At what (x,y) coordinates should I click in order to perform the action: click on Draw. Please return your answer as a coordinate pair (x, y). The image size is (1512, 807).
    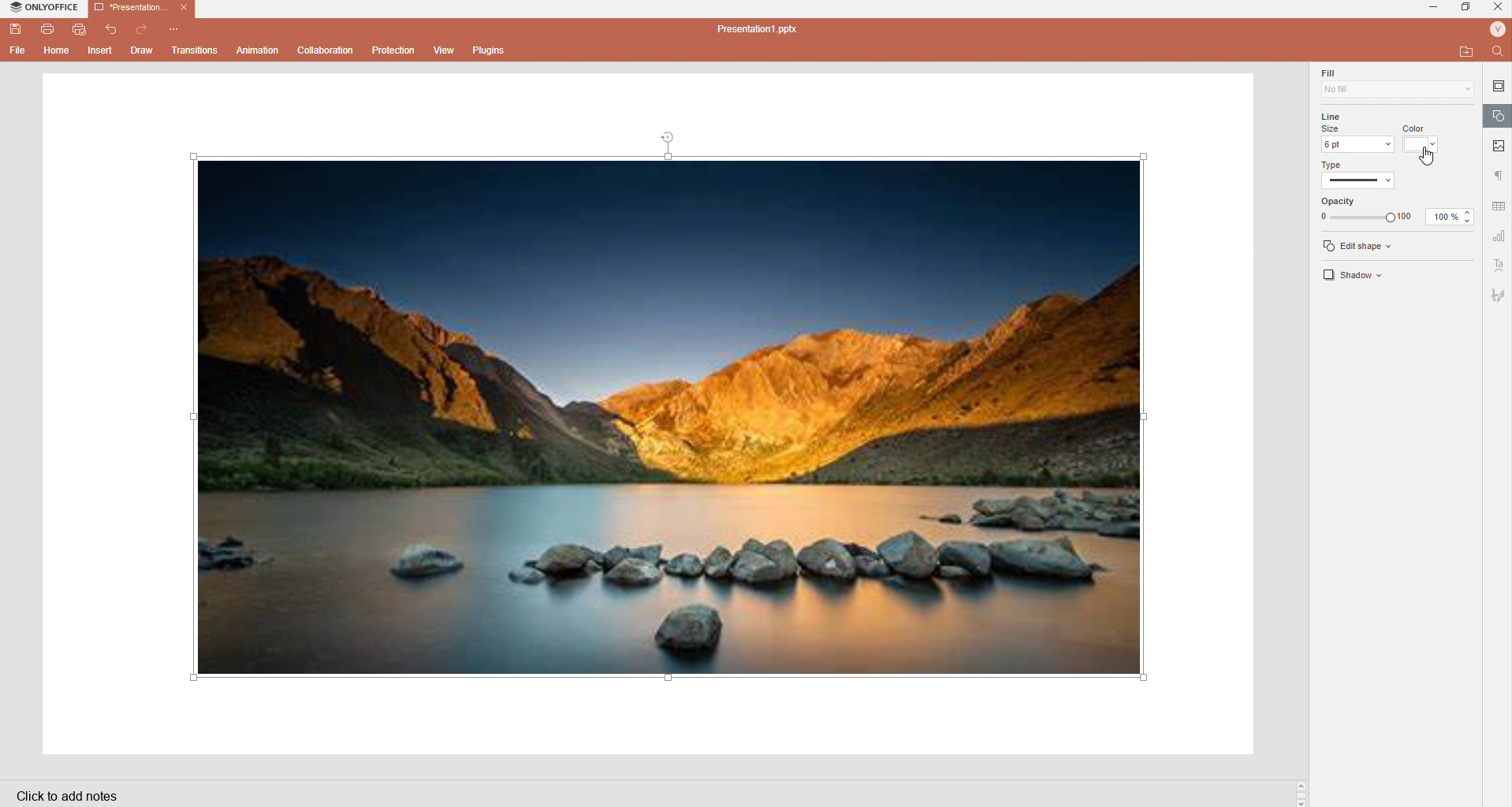
    Looking at the image, I should click on (143, 52).